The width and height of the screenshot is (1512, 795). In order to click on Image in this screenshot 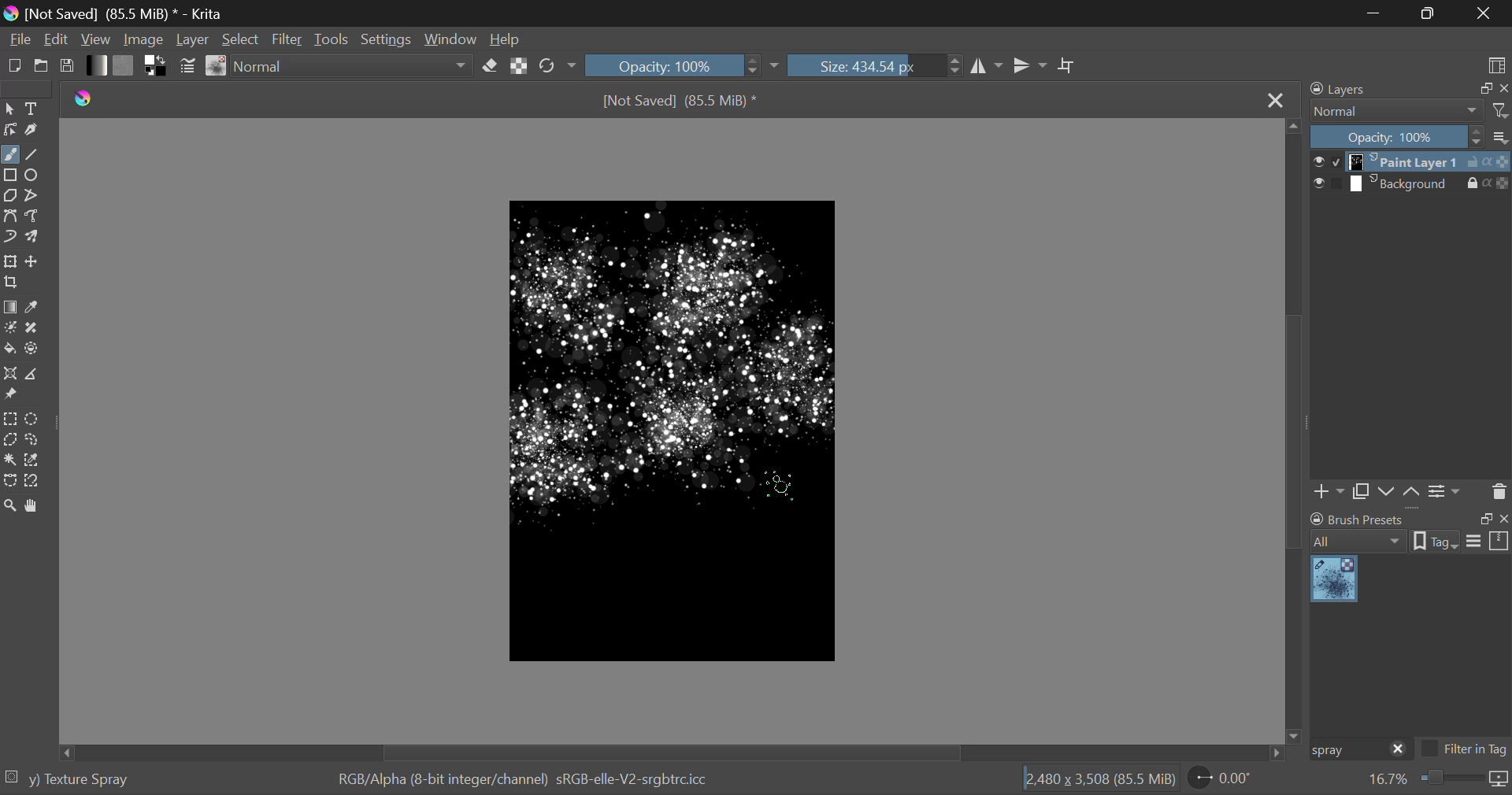, I will do `click(148, 38)`.